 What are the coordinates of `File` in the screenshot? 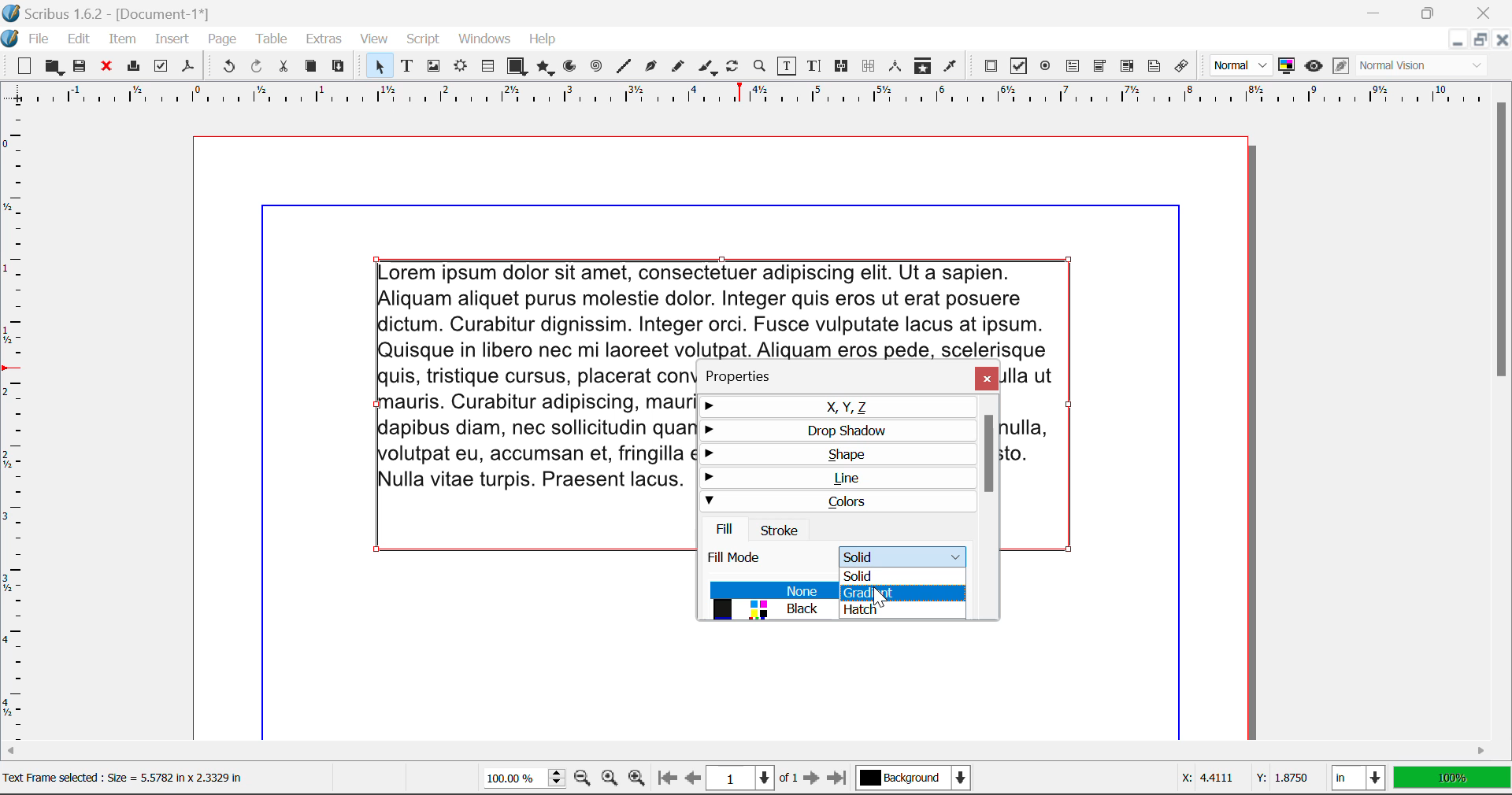 It's located at (39, 42).